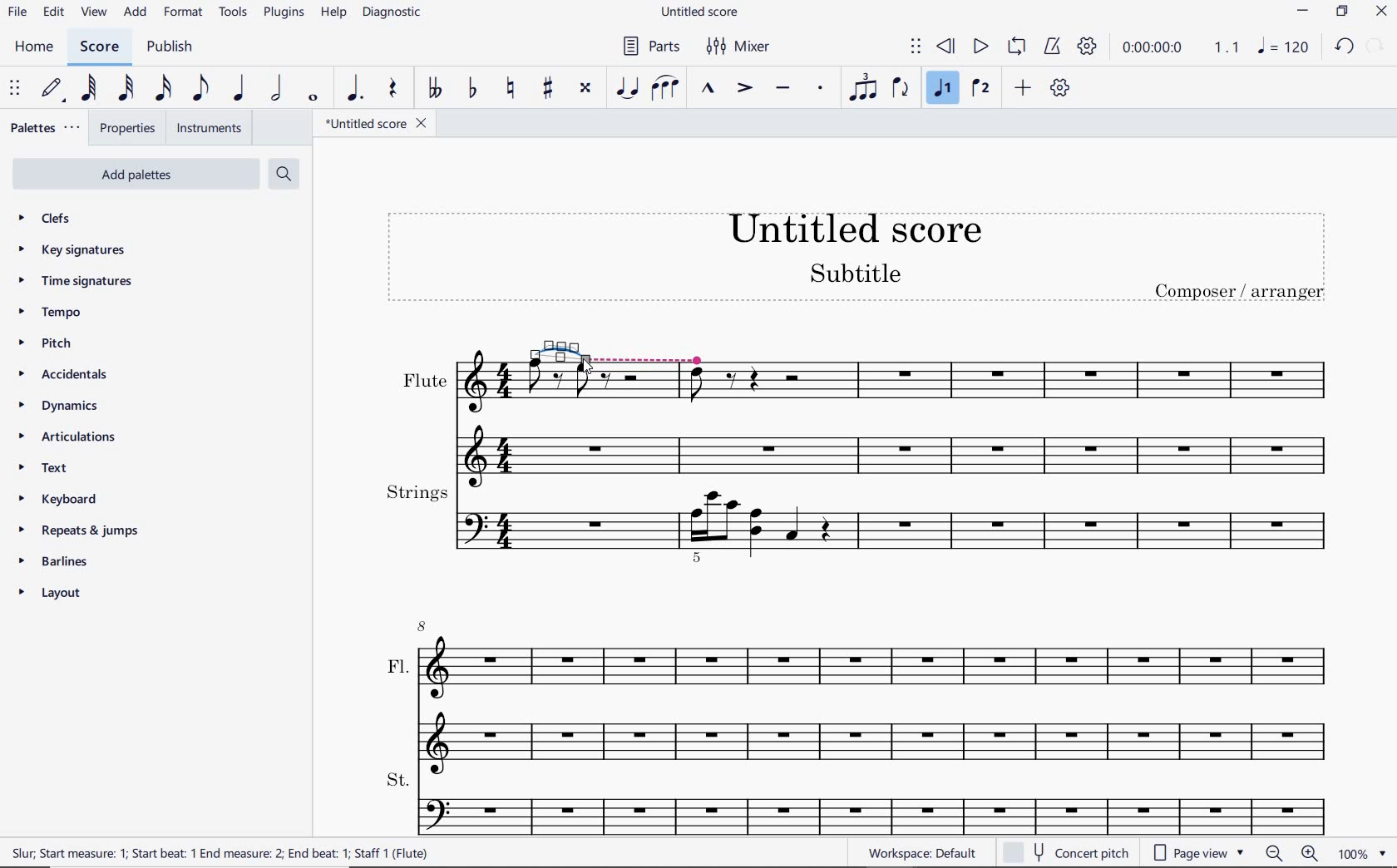  Describe the element at coordinates (62, 562) in the screenshot. I see `barlines` at that location.